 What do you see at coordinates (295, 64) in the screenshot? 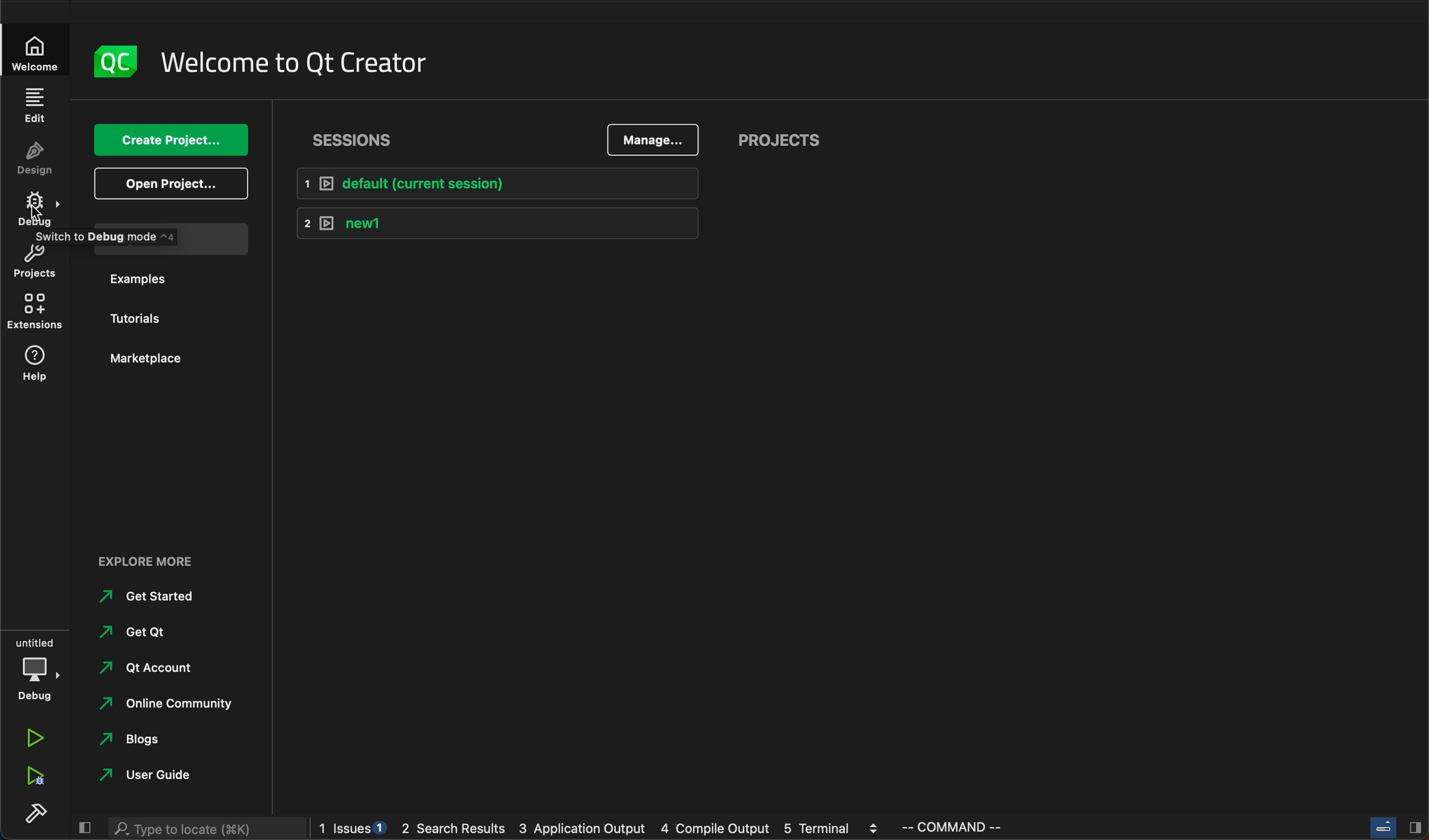
I see `welcome to Qt` at bounding box center [295, 64].